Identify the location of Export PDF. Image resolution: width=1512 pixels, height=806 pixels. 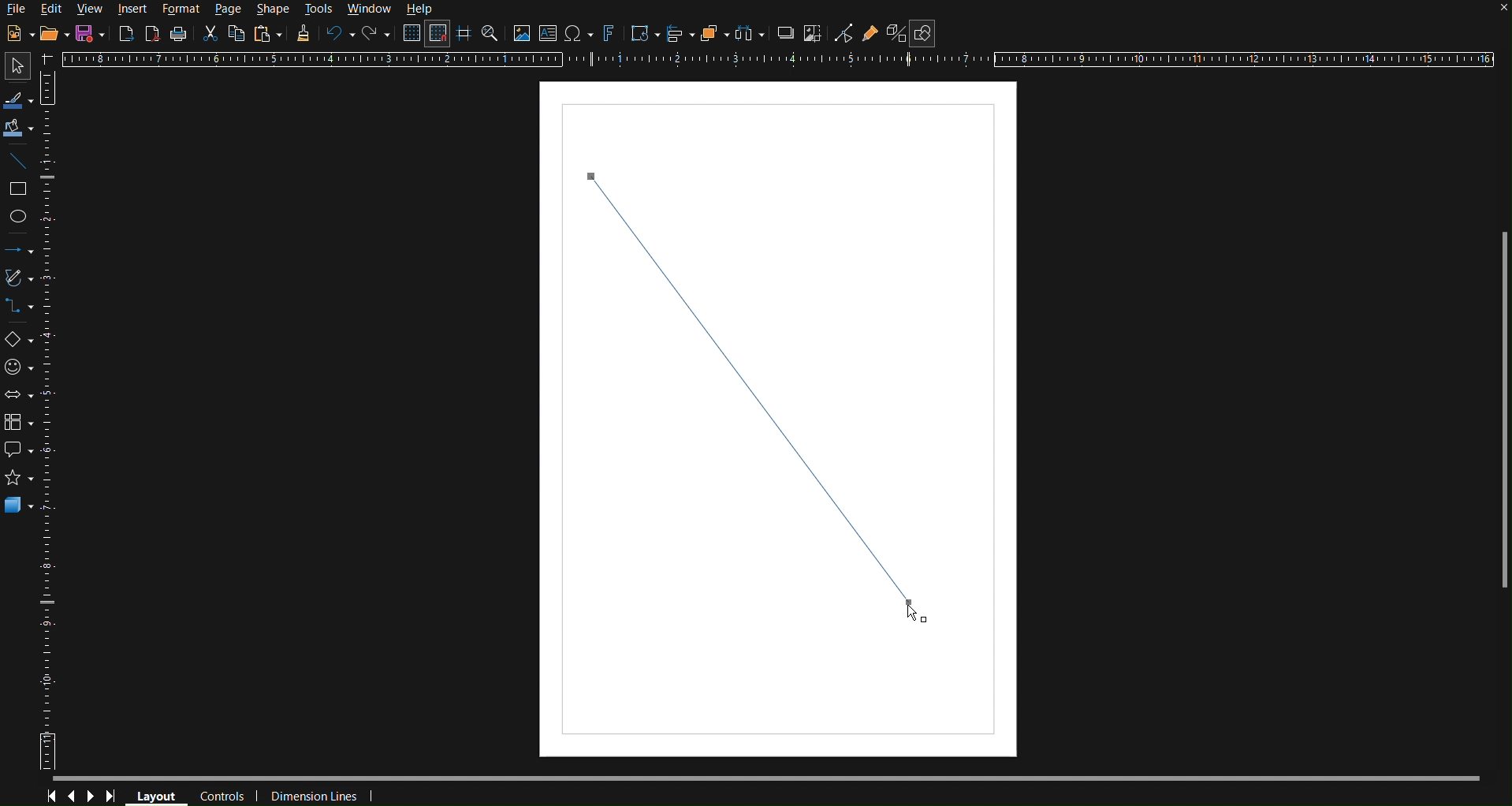
(154, 34).